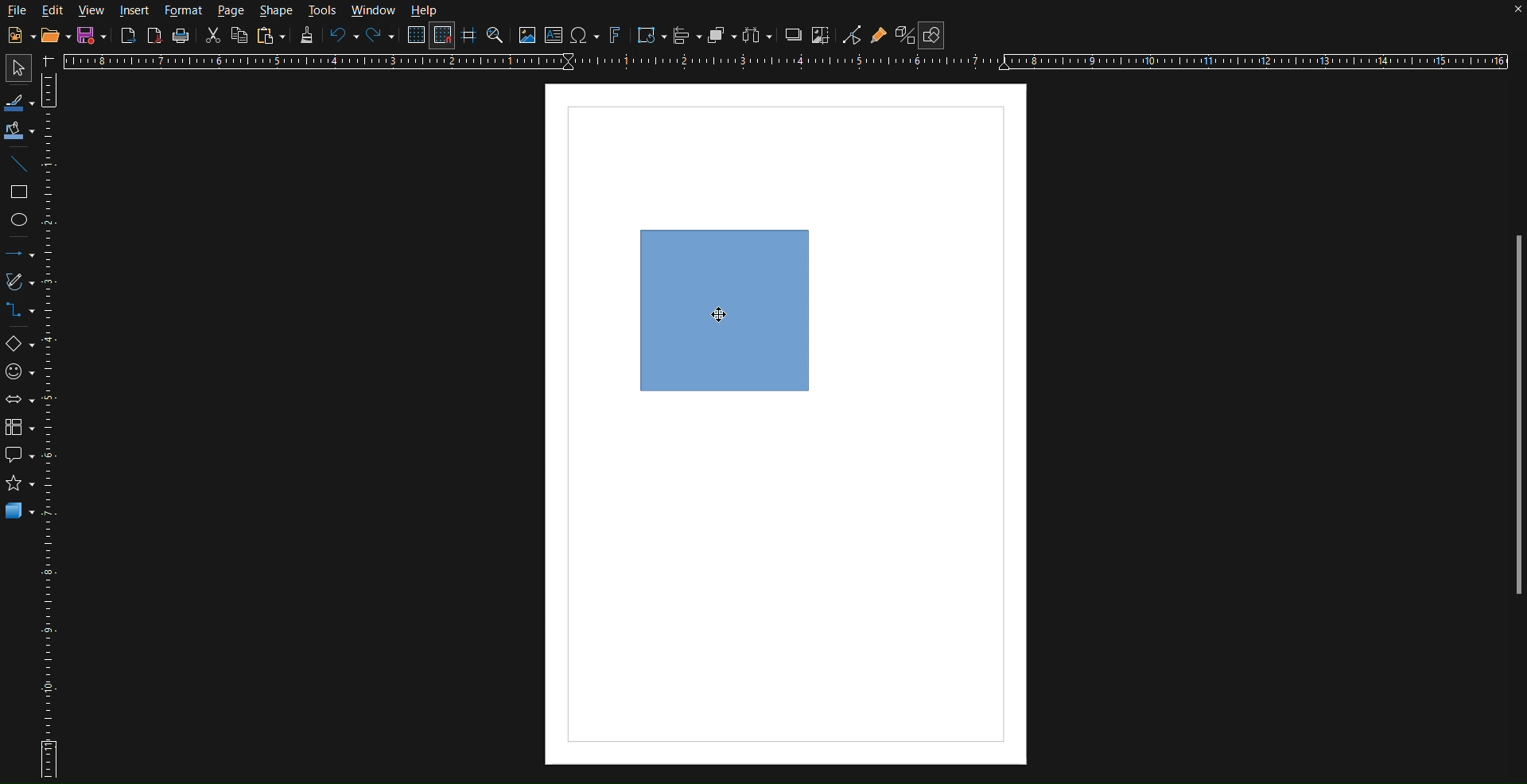 The height and width of the screenshot is (784, 1527). I want to click on Flowchart, so click(18, 429).